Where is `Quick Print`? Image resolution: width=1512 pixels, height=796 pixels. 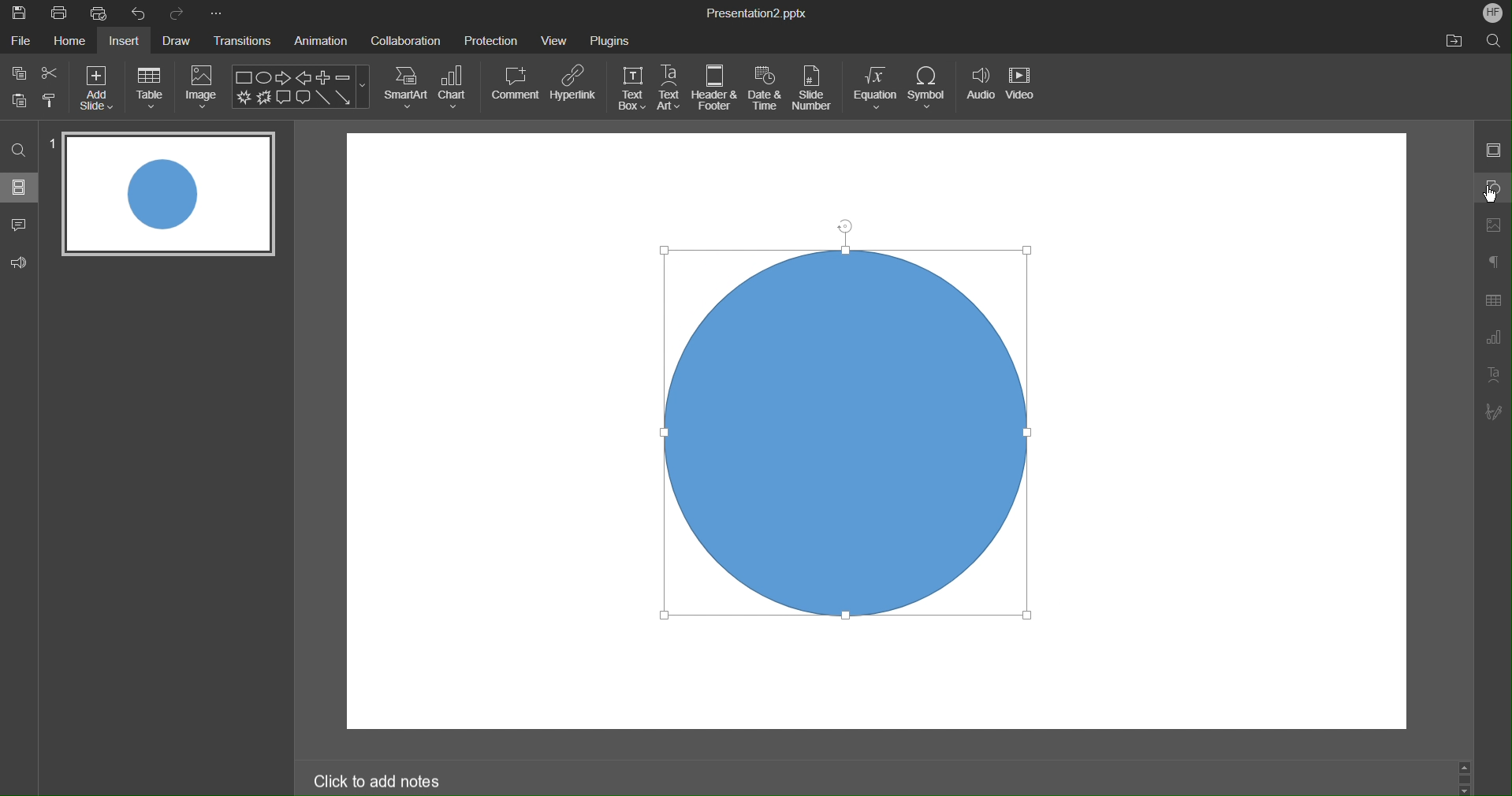
Quick Print is located at coordinates (103, 14).